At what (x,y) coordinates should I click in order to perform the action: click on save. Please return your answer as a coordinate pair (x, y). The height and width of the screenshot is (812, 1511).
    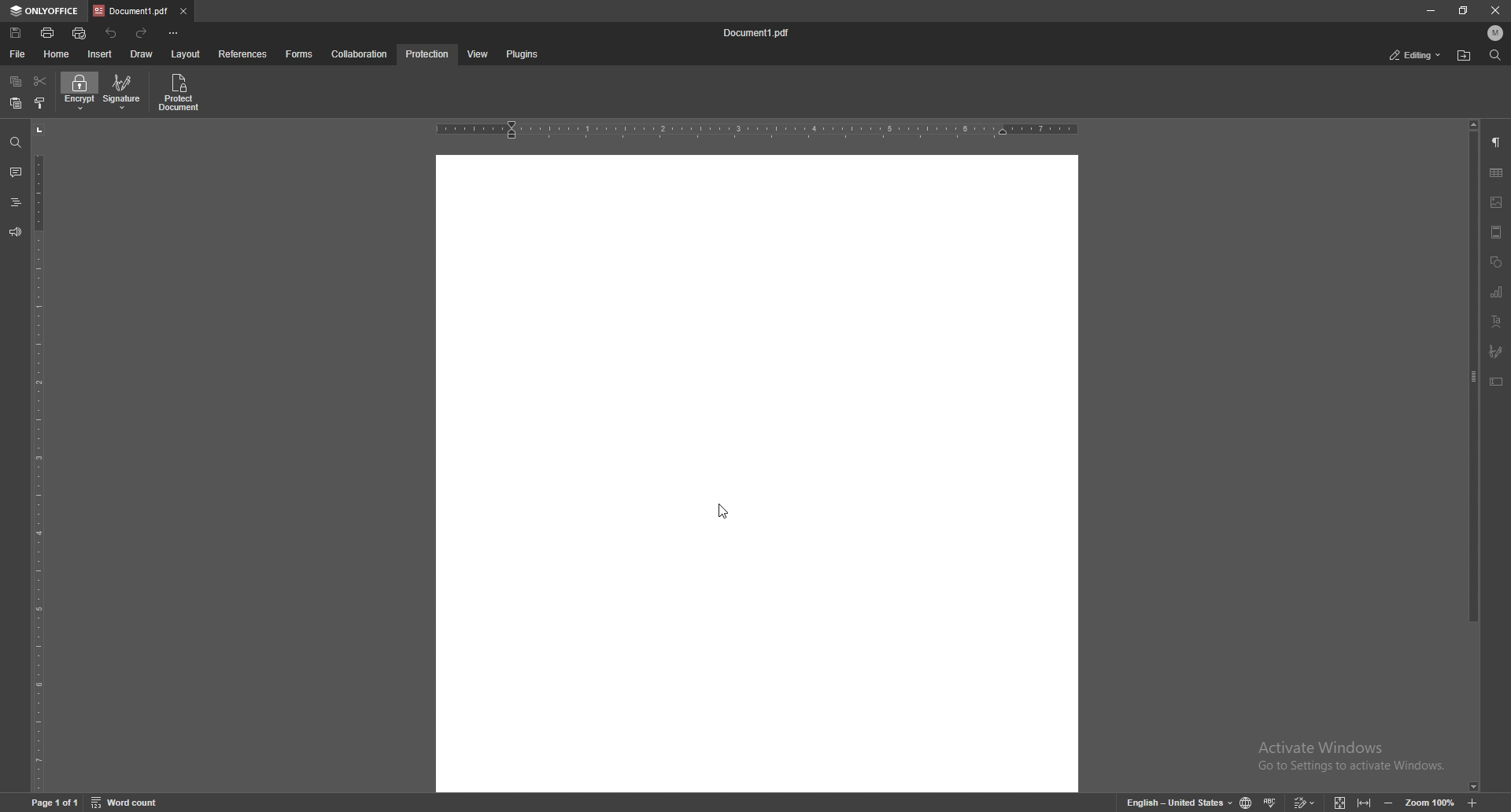
    Looking at the image, I should click on (16, 33).